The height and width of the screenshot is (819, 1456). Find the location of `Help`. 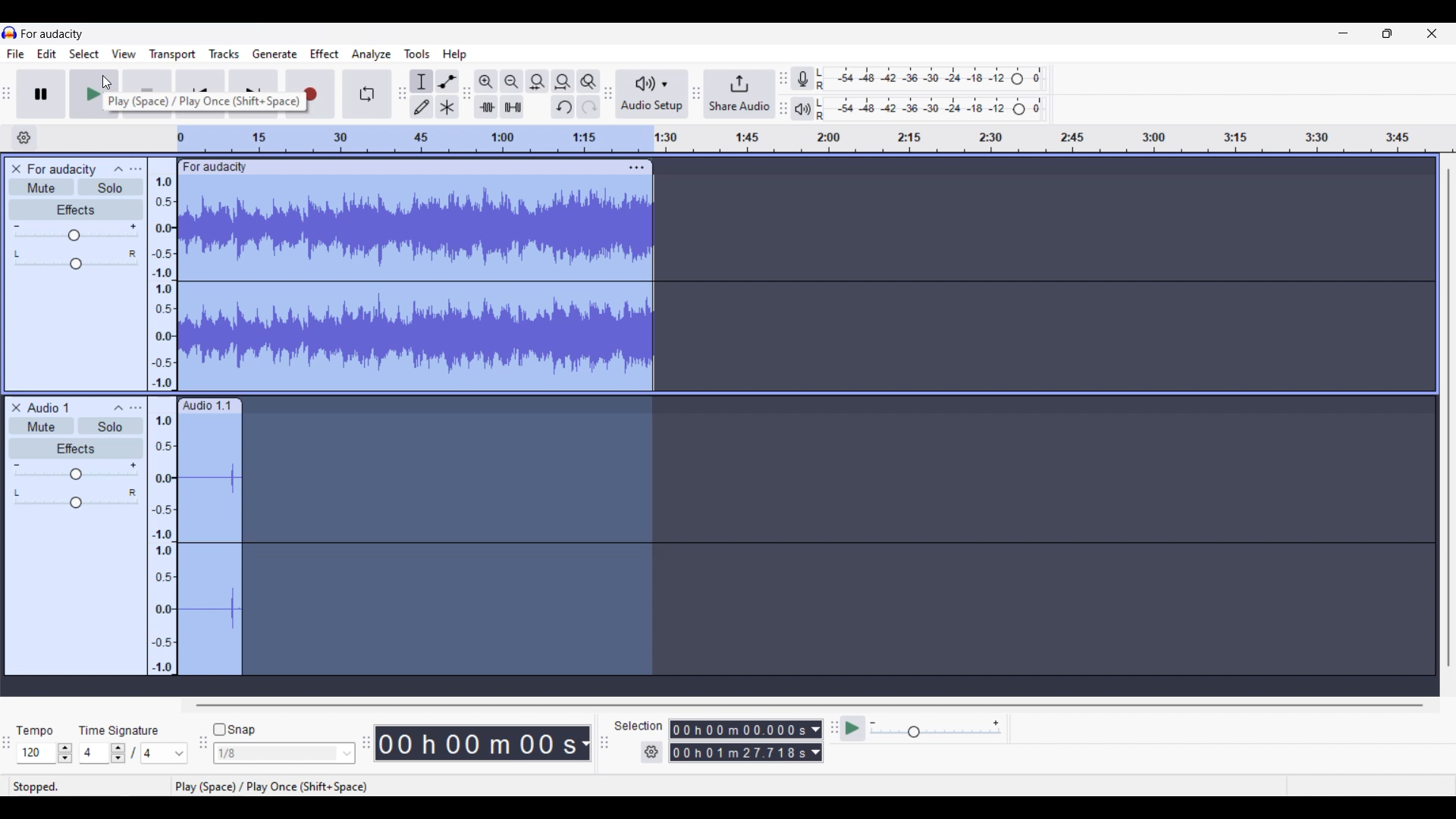

Help is located at coordinates (454, 55).